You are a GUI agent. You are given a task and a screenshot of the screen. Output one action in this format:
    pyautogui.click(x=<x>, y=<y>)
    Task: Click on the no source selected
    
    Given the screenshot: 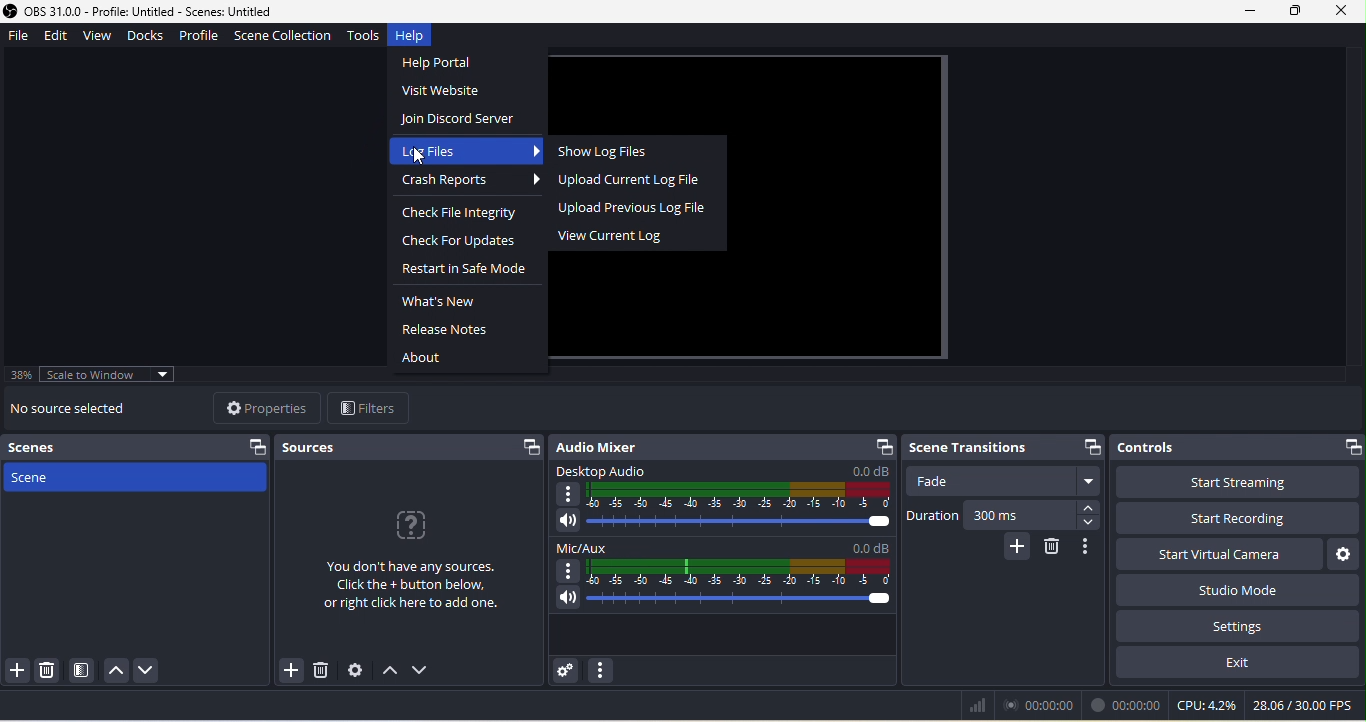 What is the action you would take?
    pyautogui.click(x=83, y=410)
    